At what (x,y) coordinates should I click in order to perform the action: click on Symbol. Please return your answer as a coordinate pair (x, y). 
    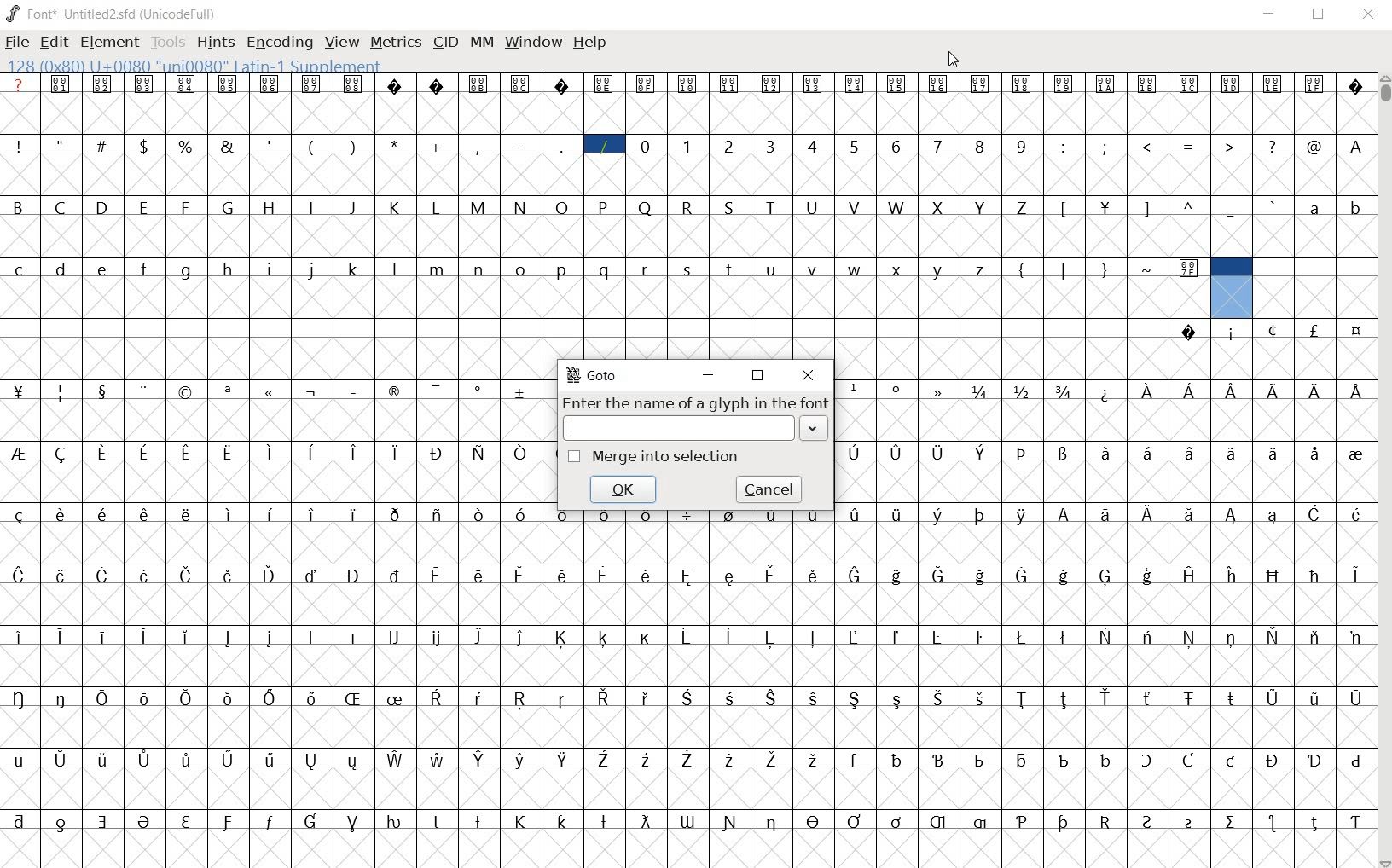
    Looking at the image, I should click on (563, 574).